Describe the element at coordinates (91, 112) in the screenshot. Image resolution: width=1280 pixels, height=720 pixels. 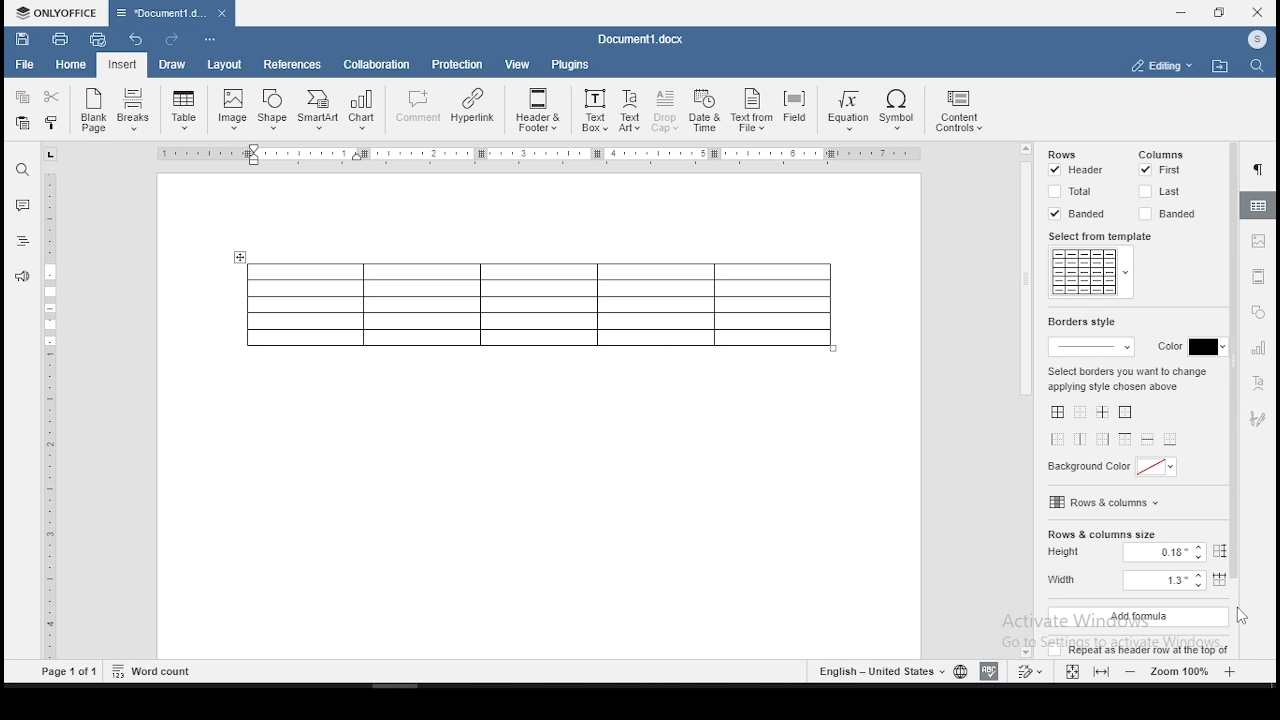
I see `blank page` at that location.